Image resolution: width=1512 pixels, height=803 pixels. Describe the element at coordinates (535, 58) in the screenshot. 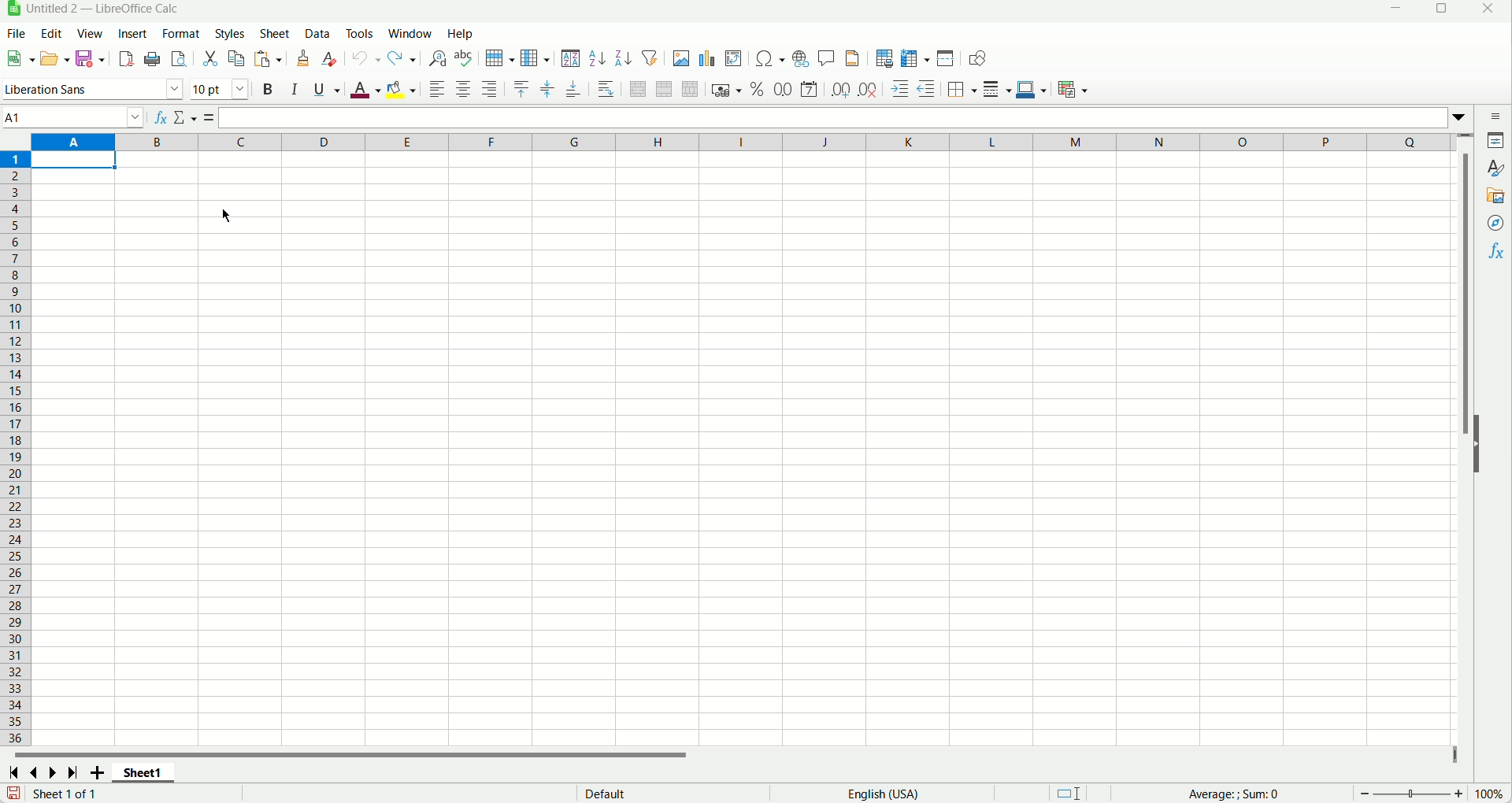

I see `Column` at that location.